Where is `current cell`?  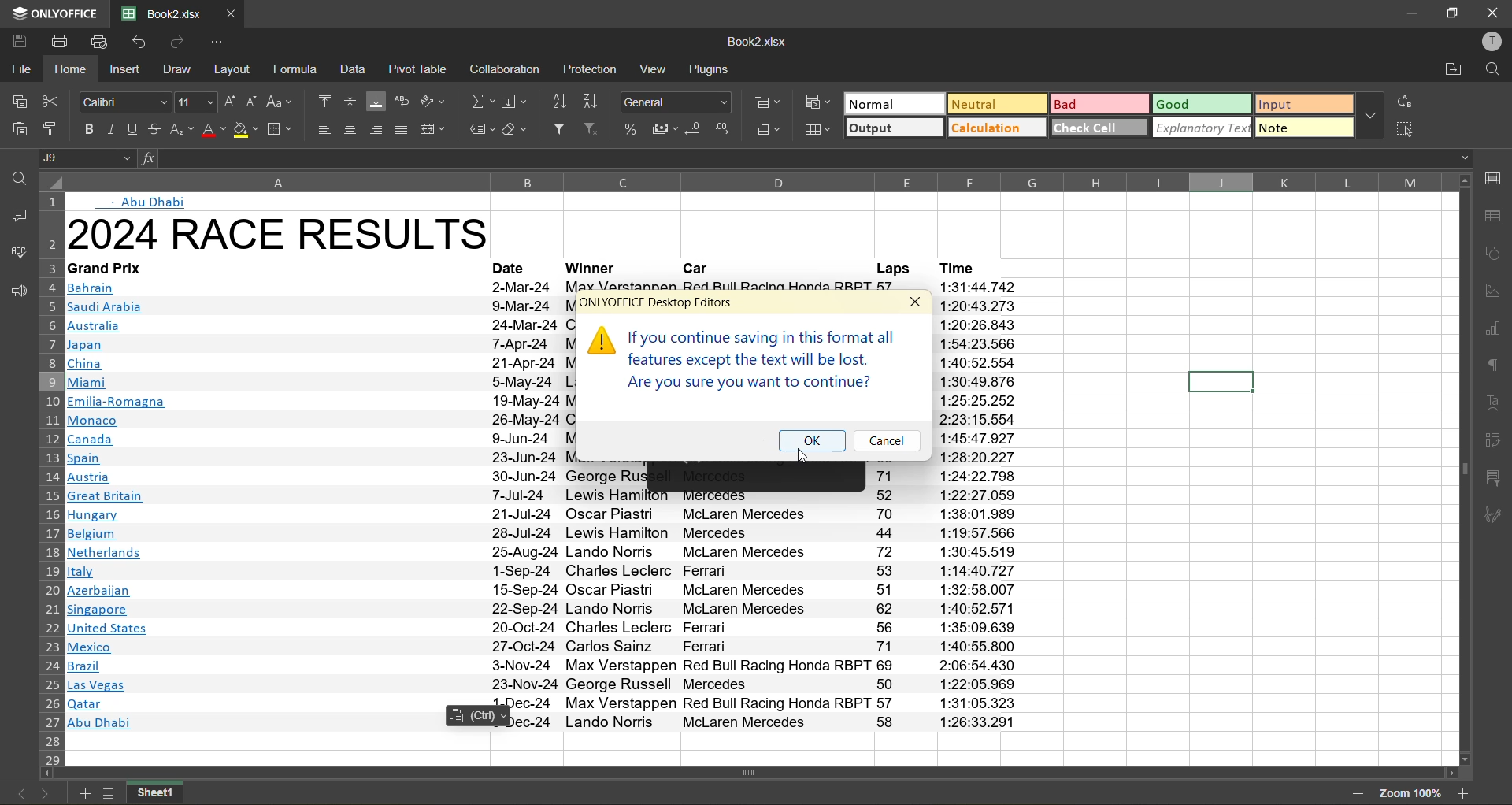
current cell is located at coordinates (1219, 382).